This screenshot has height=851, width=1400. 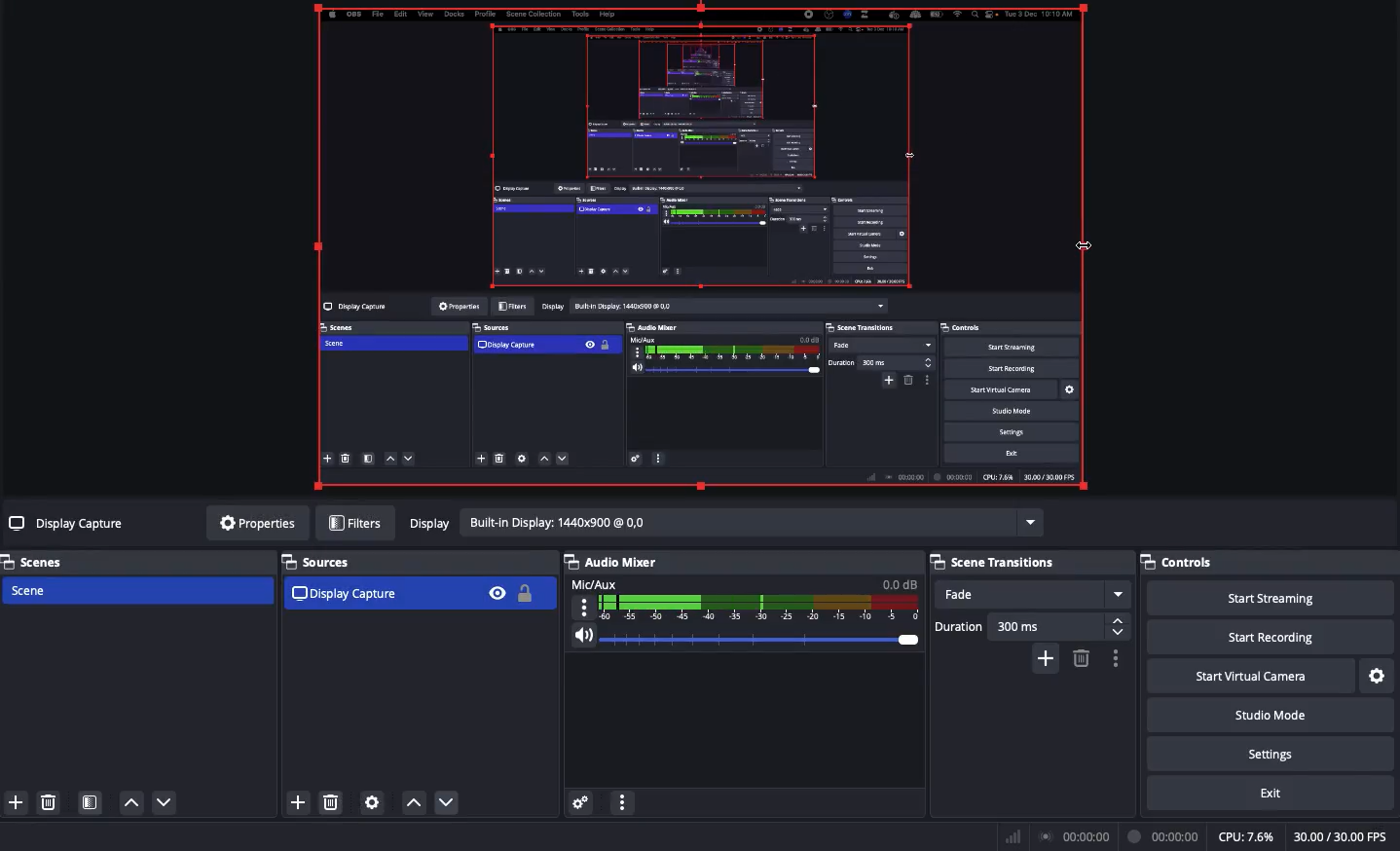 What do you see at coordinates (580, 804) in the screenshot?
I see `Advanced audio properties` at bounding box center [580, 804].